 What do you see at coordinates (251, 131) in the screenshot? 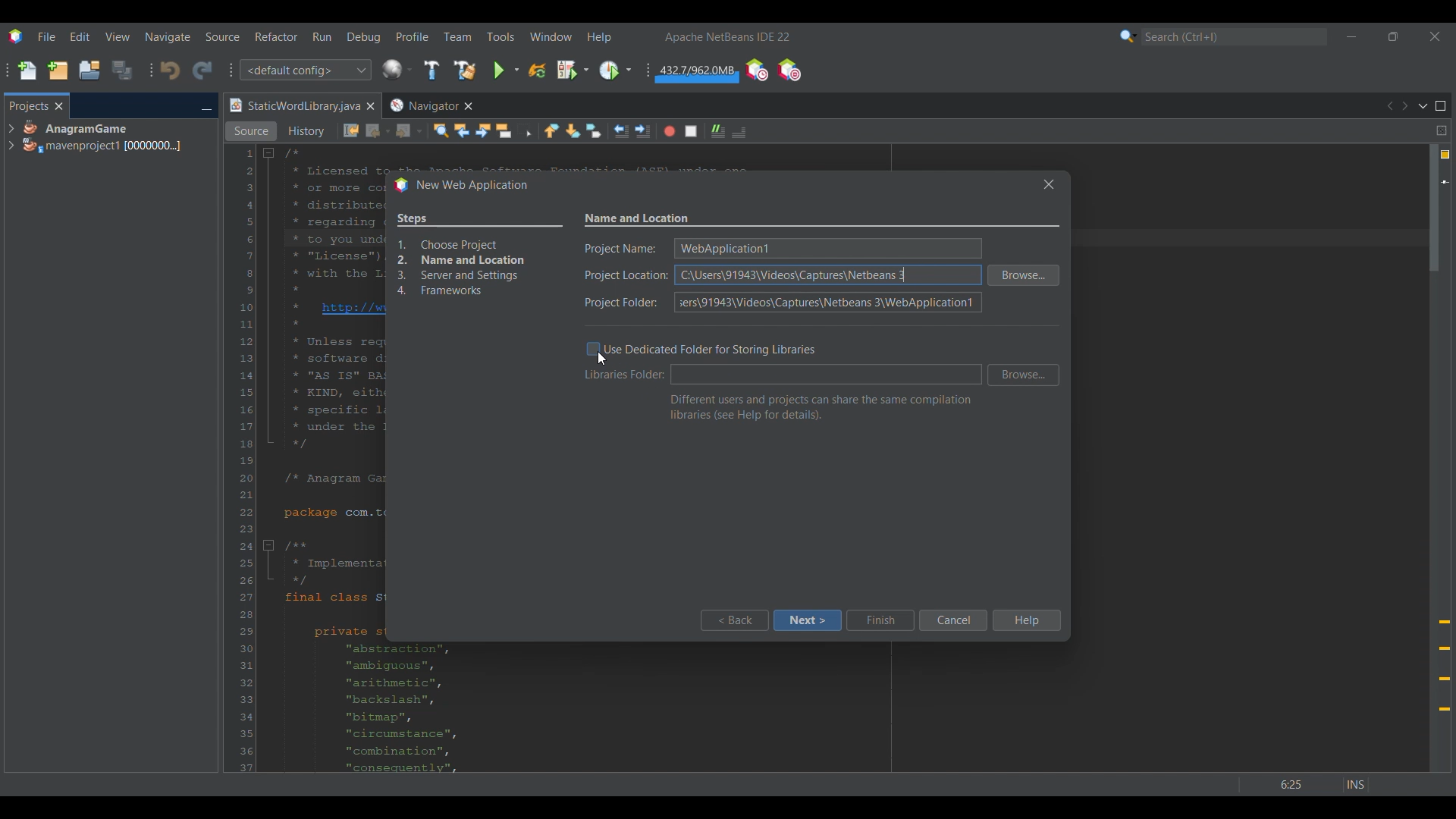
I see `Source view` at bounding box center [251, 131].